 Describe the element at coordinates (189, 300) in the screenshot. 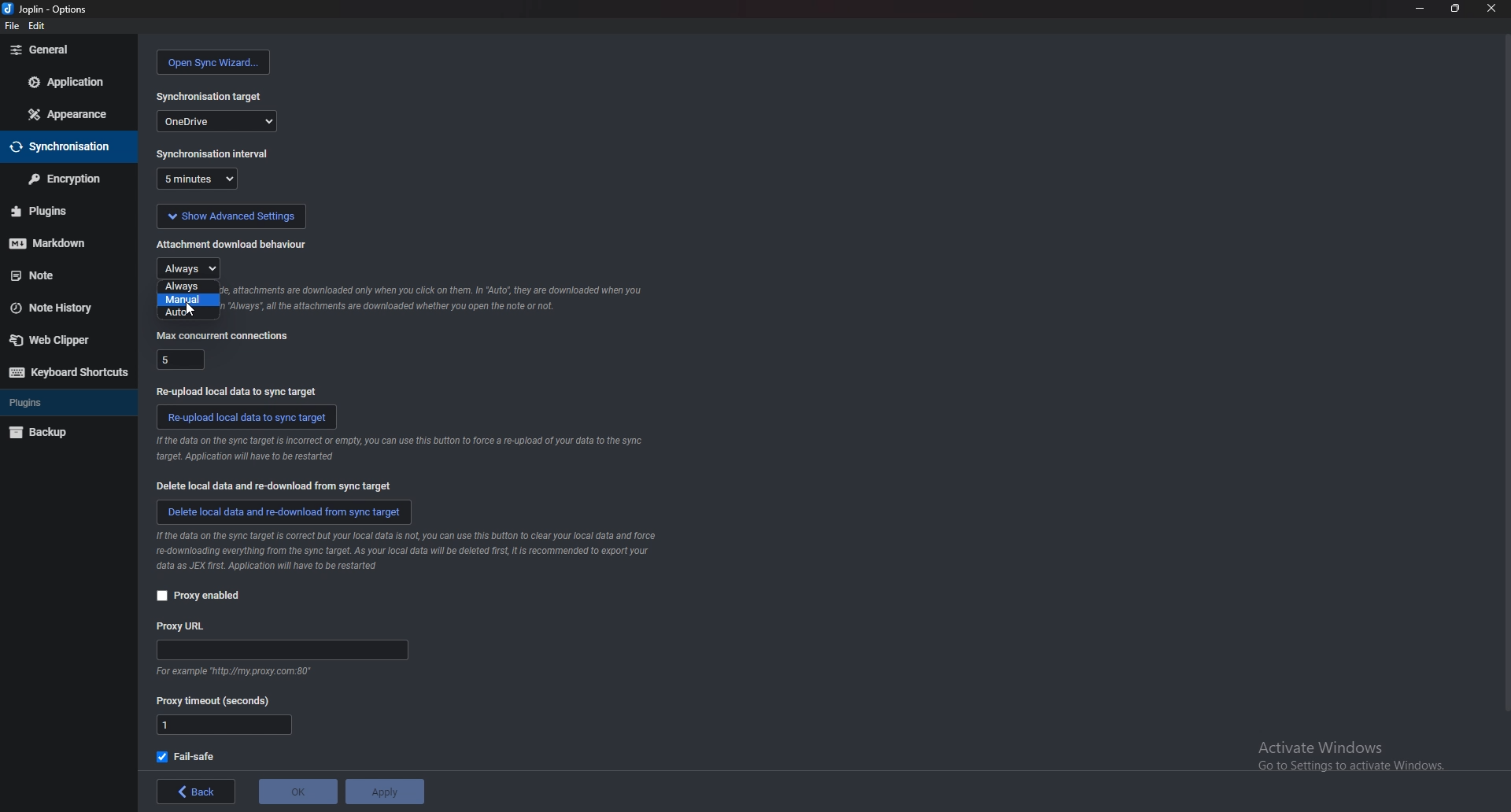

I see `manual` at that location.